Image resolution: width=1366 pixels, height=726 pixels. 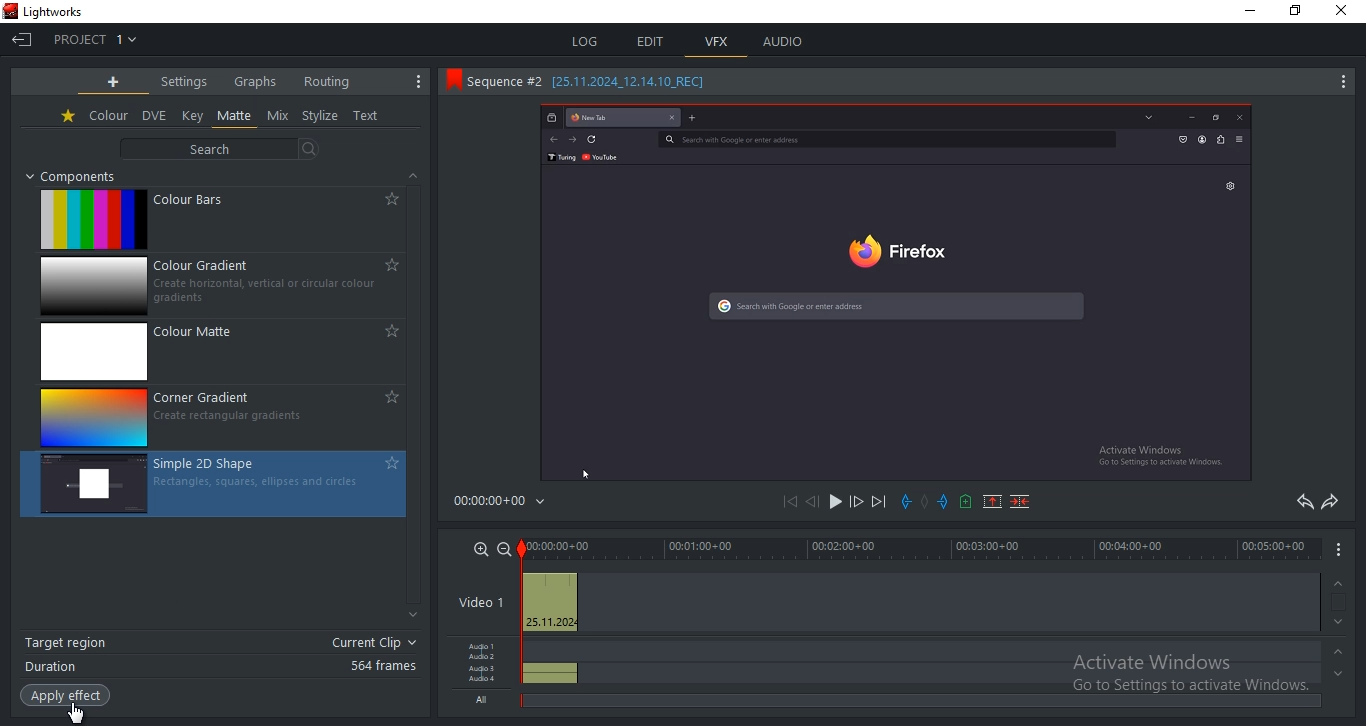 What do you see at coordinates (1023, 501) in the screenshot?
I see `delete a marked section` at bounding box center [1023, 501].